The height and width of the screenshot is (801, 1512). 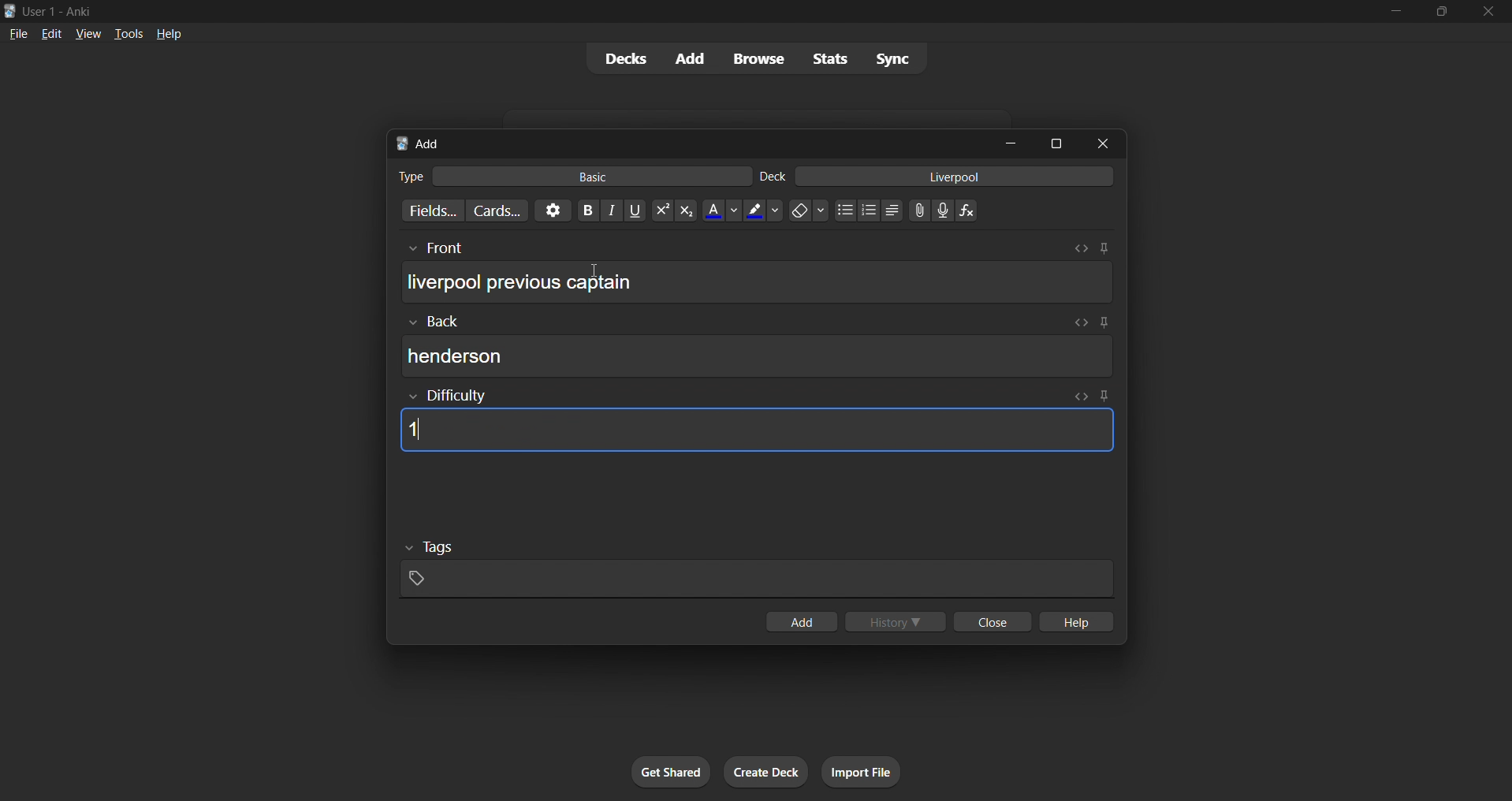 I want to click on view, so click(x=87, y=33).